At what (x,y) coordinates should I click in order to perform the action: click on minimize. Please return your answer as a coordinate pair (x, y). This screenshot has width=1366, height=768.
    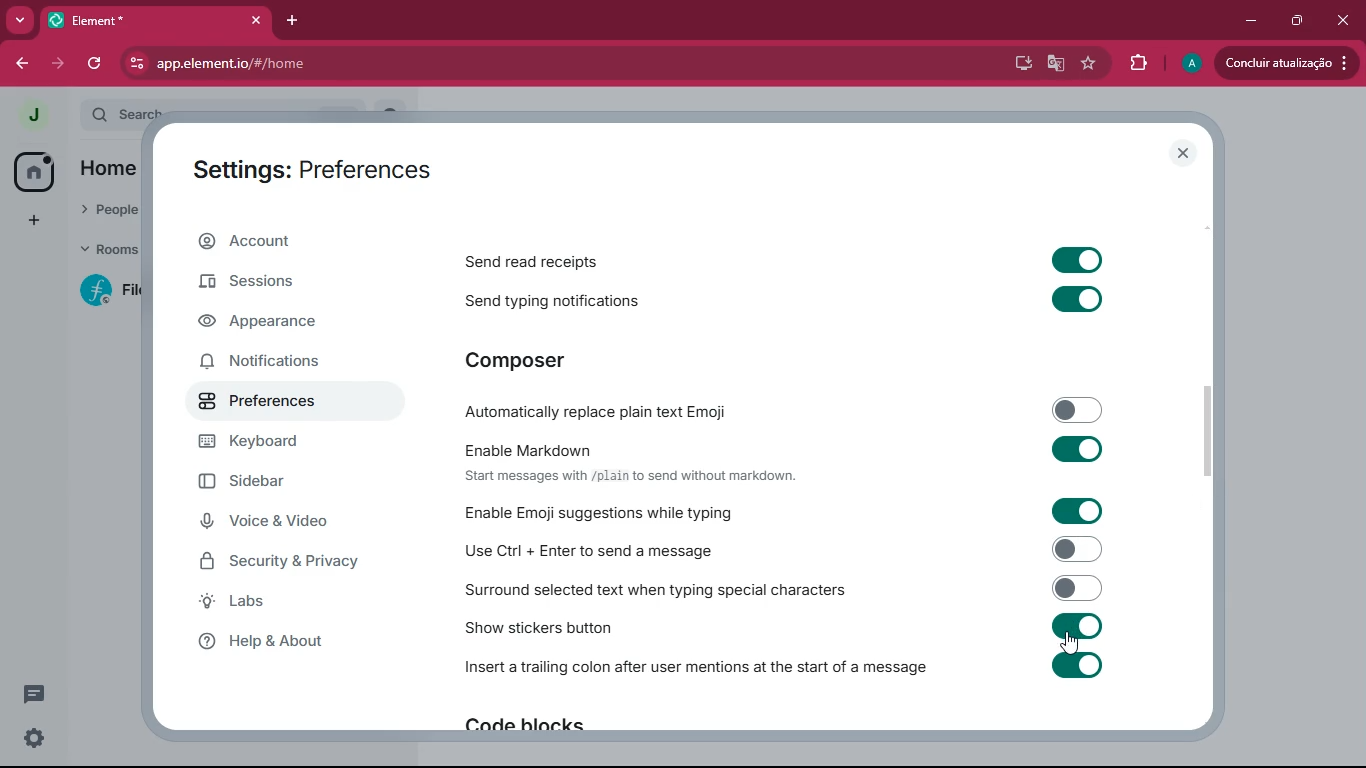
    Looking at the image, I should click on (1249, 19).